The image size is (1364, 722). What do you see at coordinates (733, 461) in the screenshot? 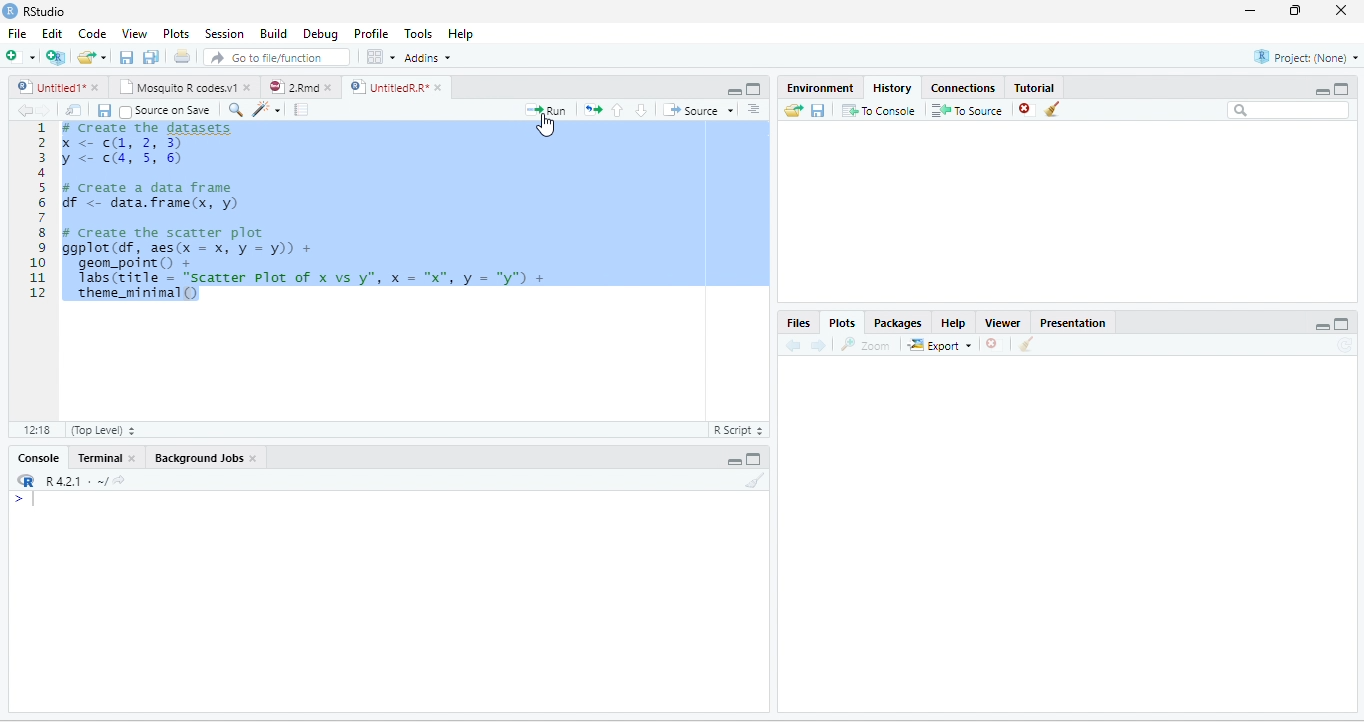
I see `Minimize` at bounding box center [733, 461].